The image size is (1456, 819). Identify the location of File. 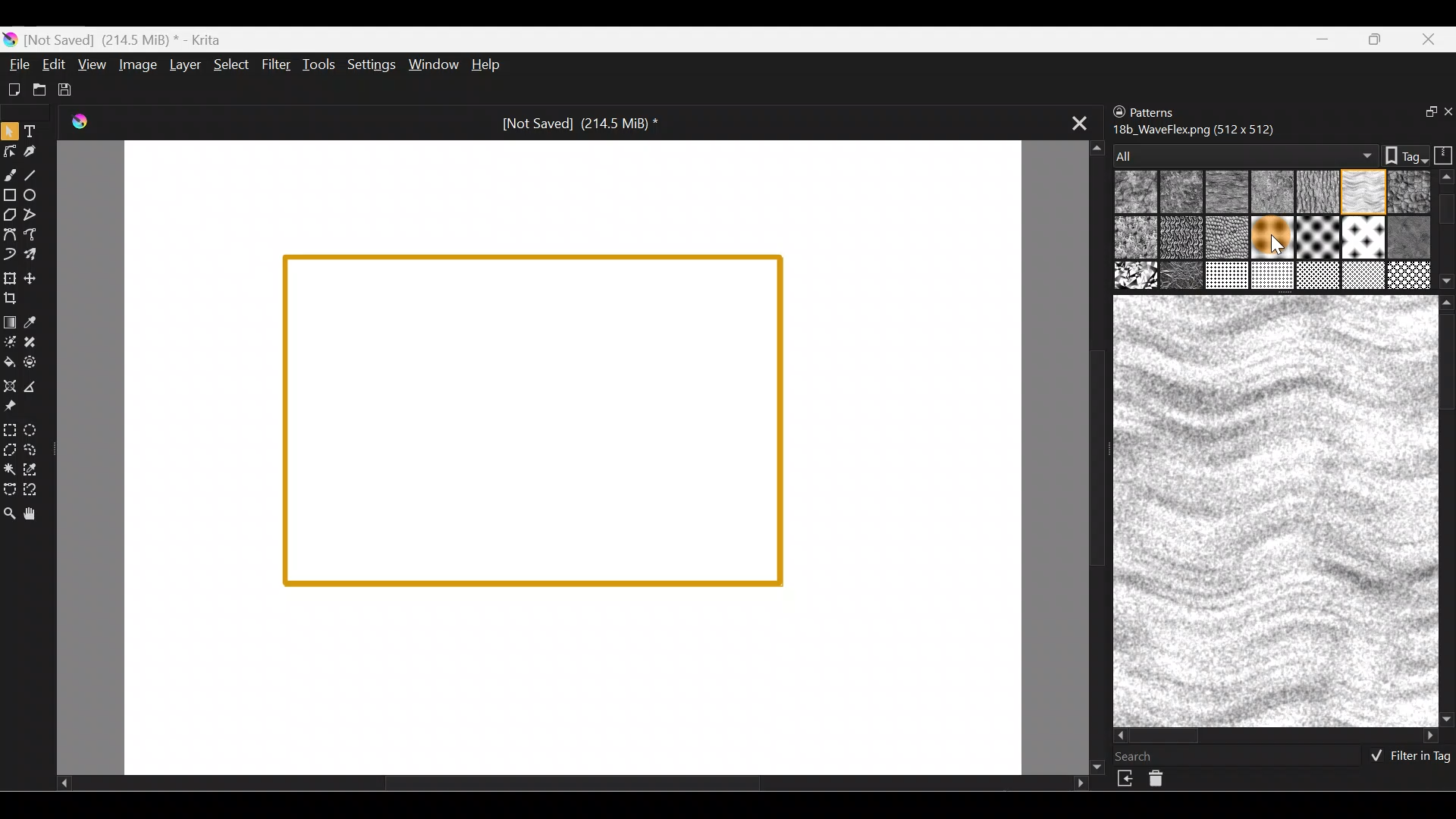
(17, 64).